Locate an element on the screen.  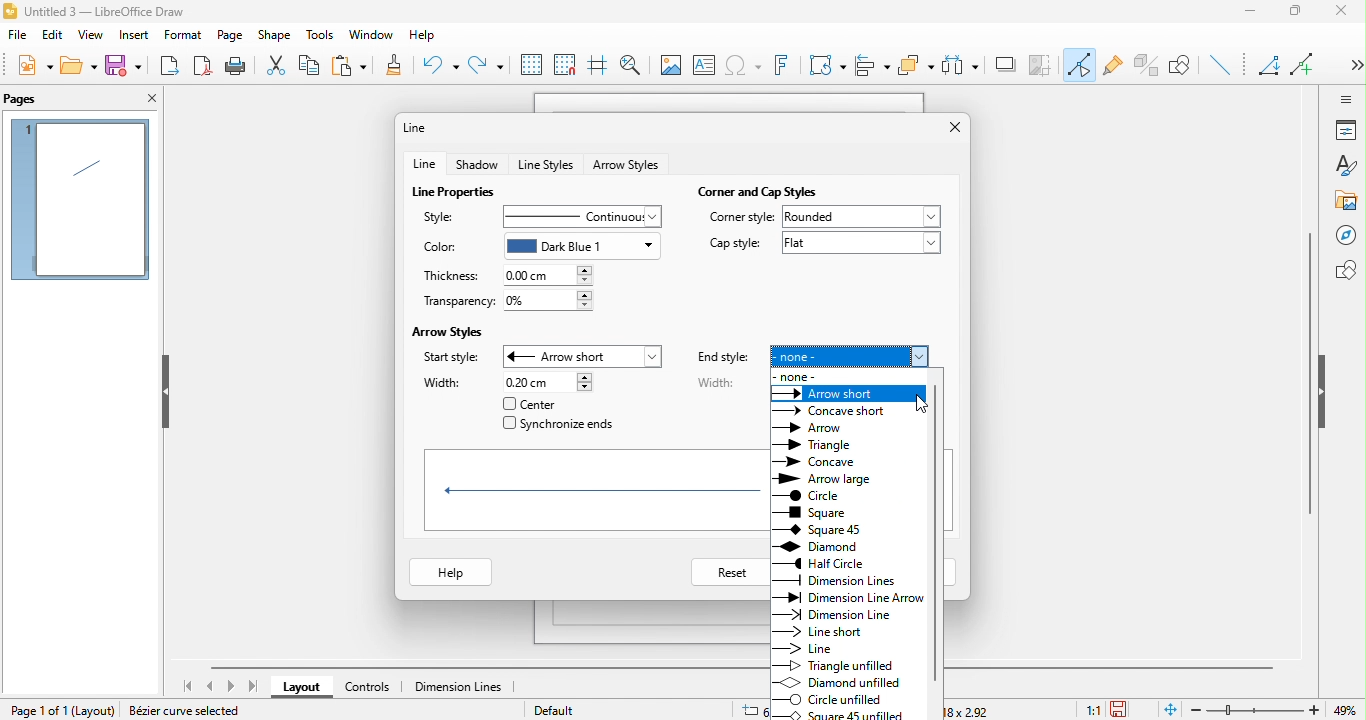
close is located at coordinates (1347, 15).